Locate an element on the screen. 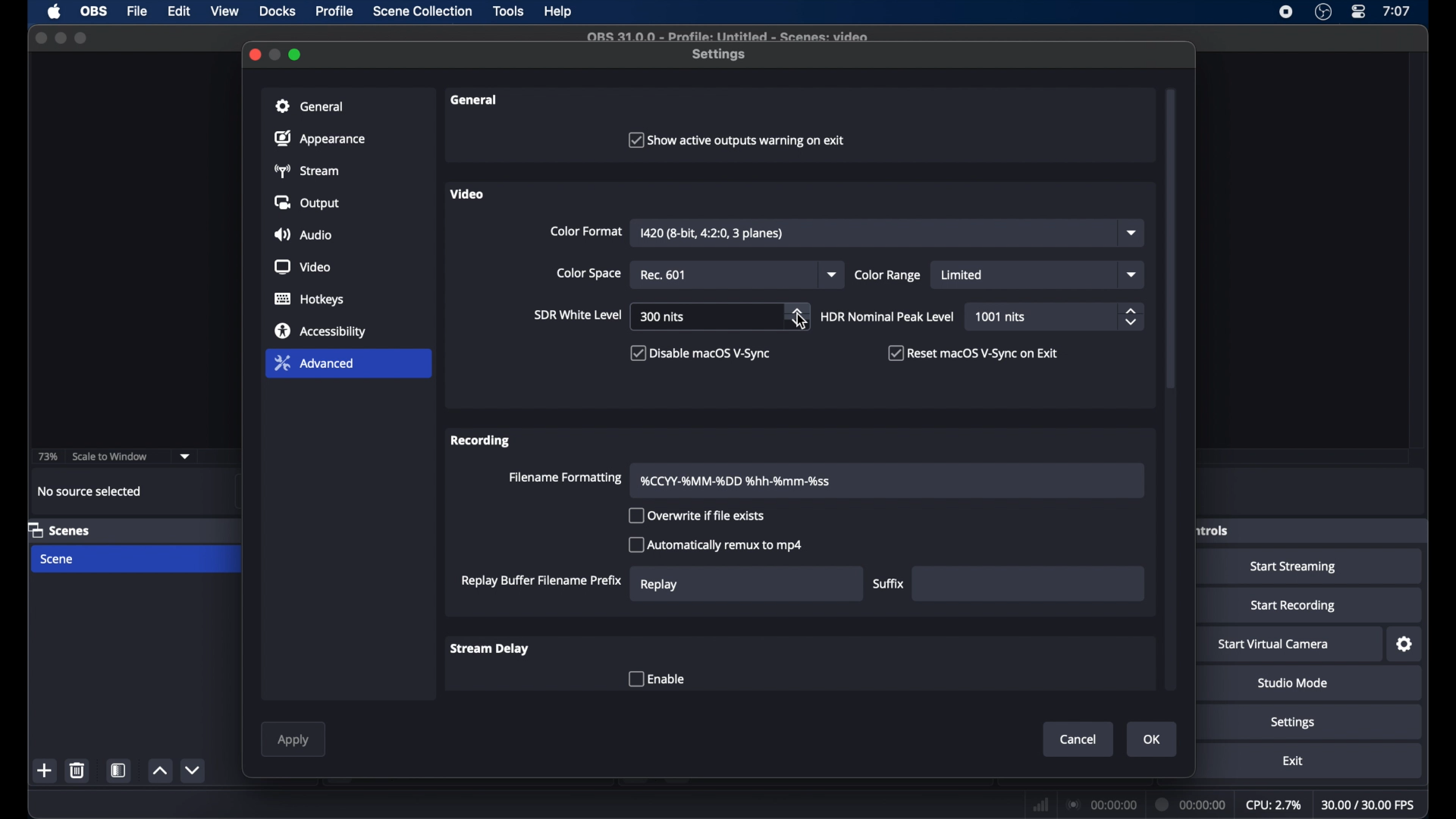 Image resolution: width=1456 pixels, height=819 pixels. apply is located at coordinates (294, 740).